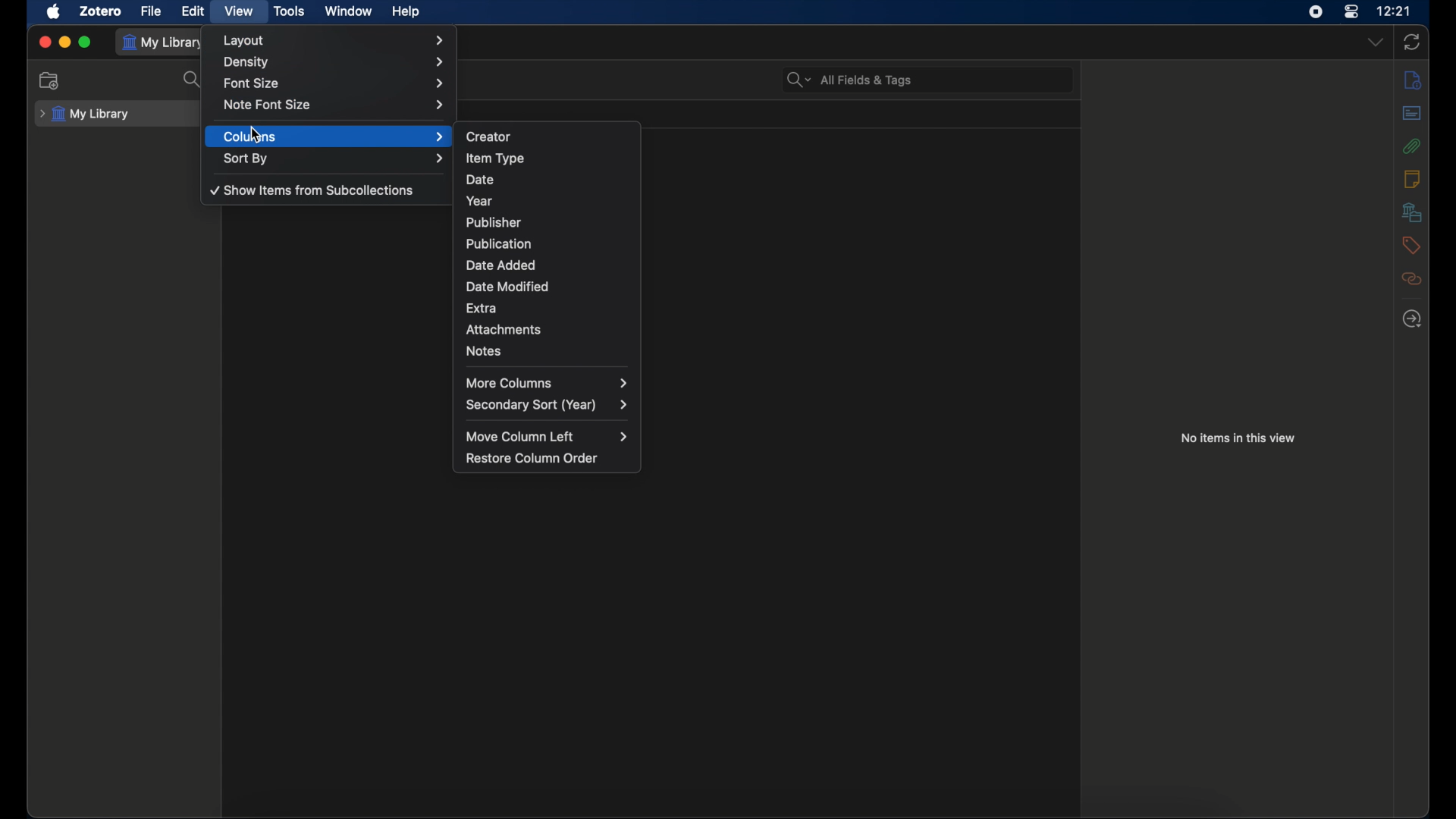 This screenshot has width=1456, height=819. Describe the element at coordinates (406, 12) in the screenshot. I see `help` at that location.